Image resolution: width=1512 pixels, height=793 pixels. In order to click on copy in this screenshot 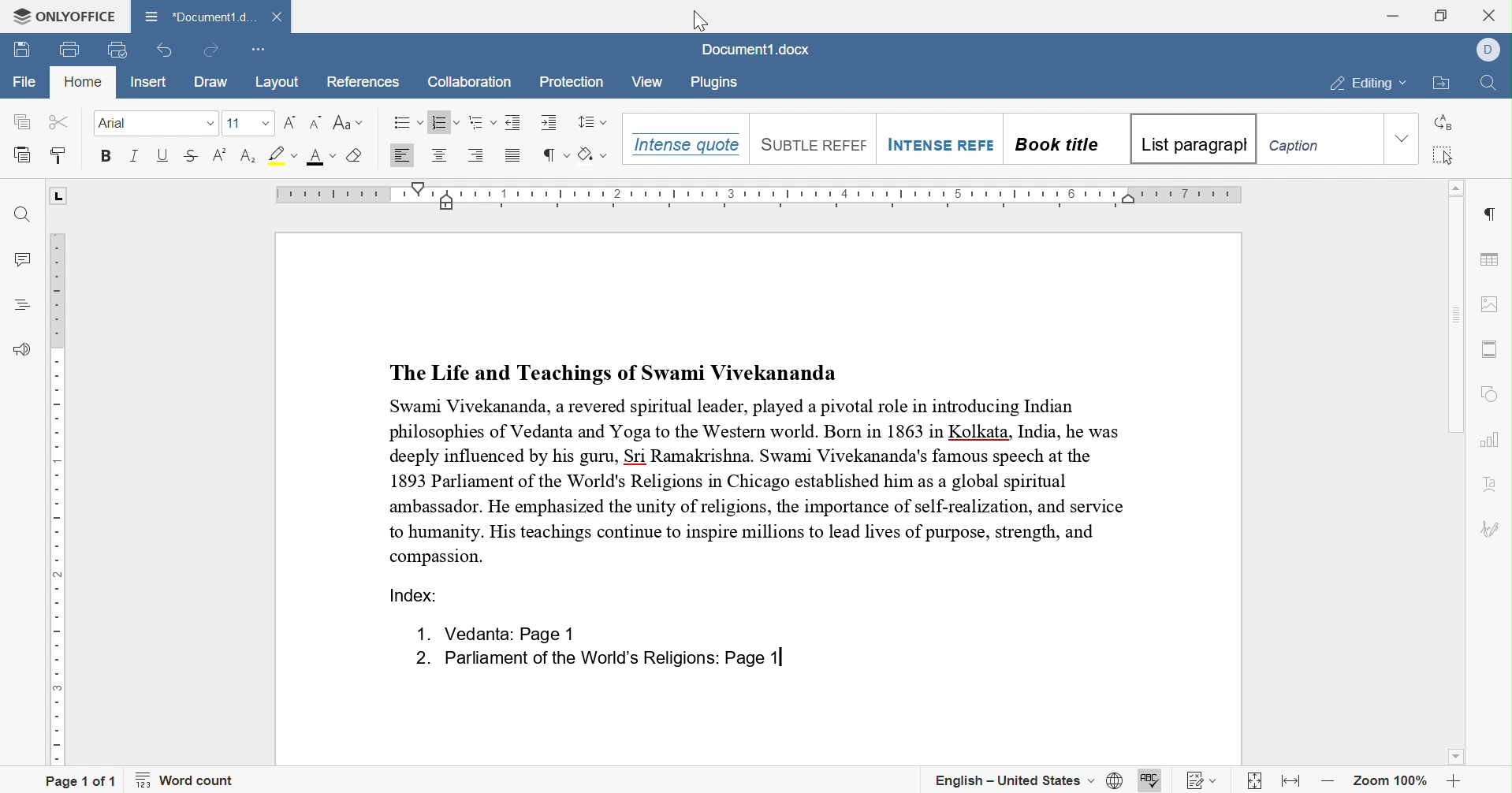, I will do `click(21, 121)`.